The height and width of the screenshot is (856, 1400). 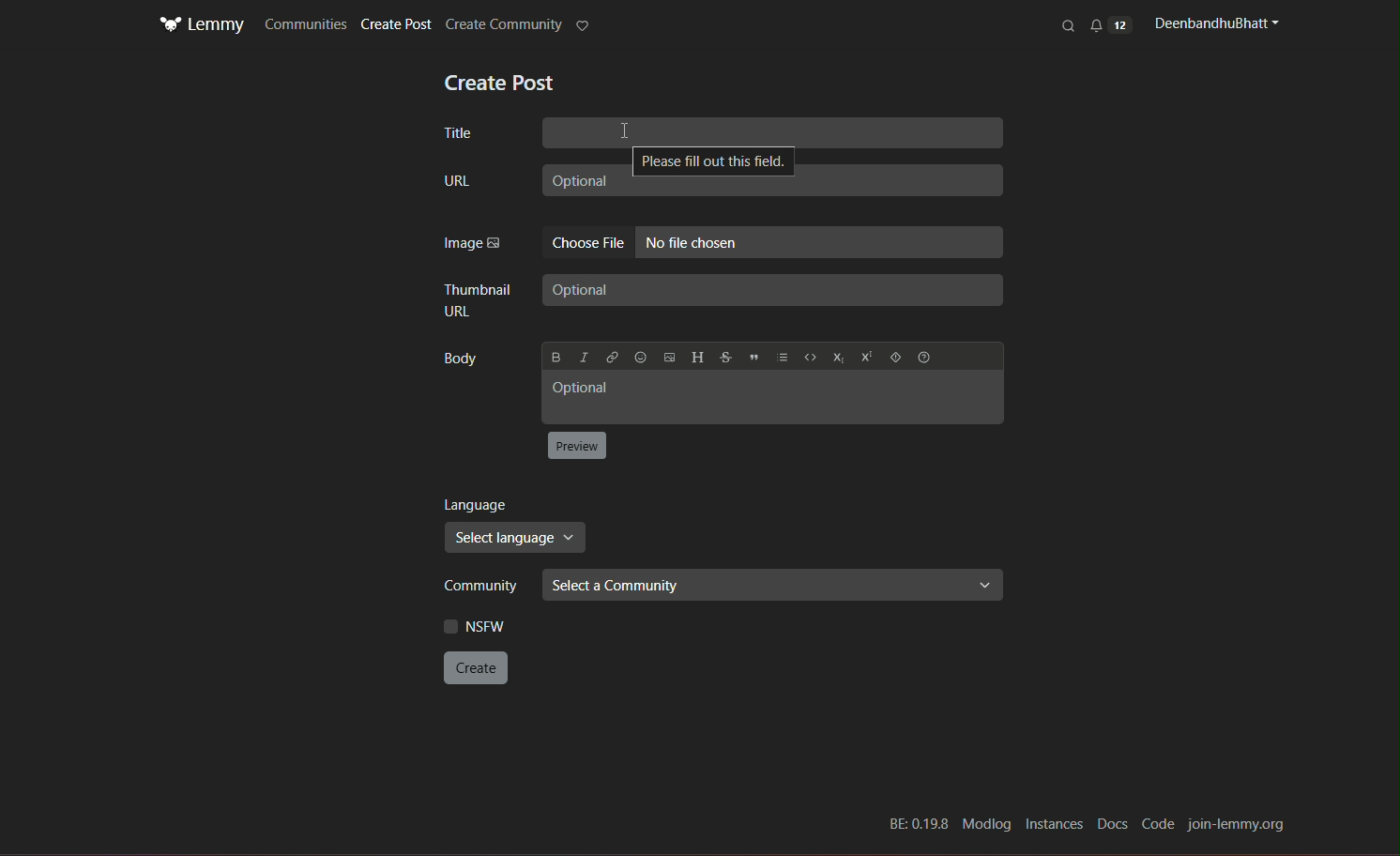 What do you see at coordinates (780, 355) in the screenshot?
I see `list` at bounding box center [780, 355].